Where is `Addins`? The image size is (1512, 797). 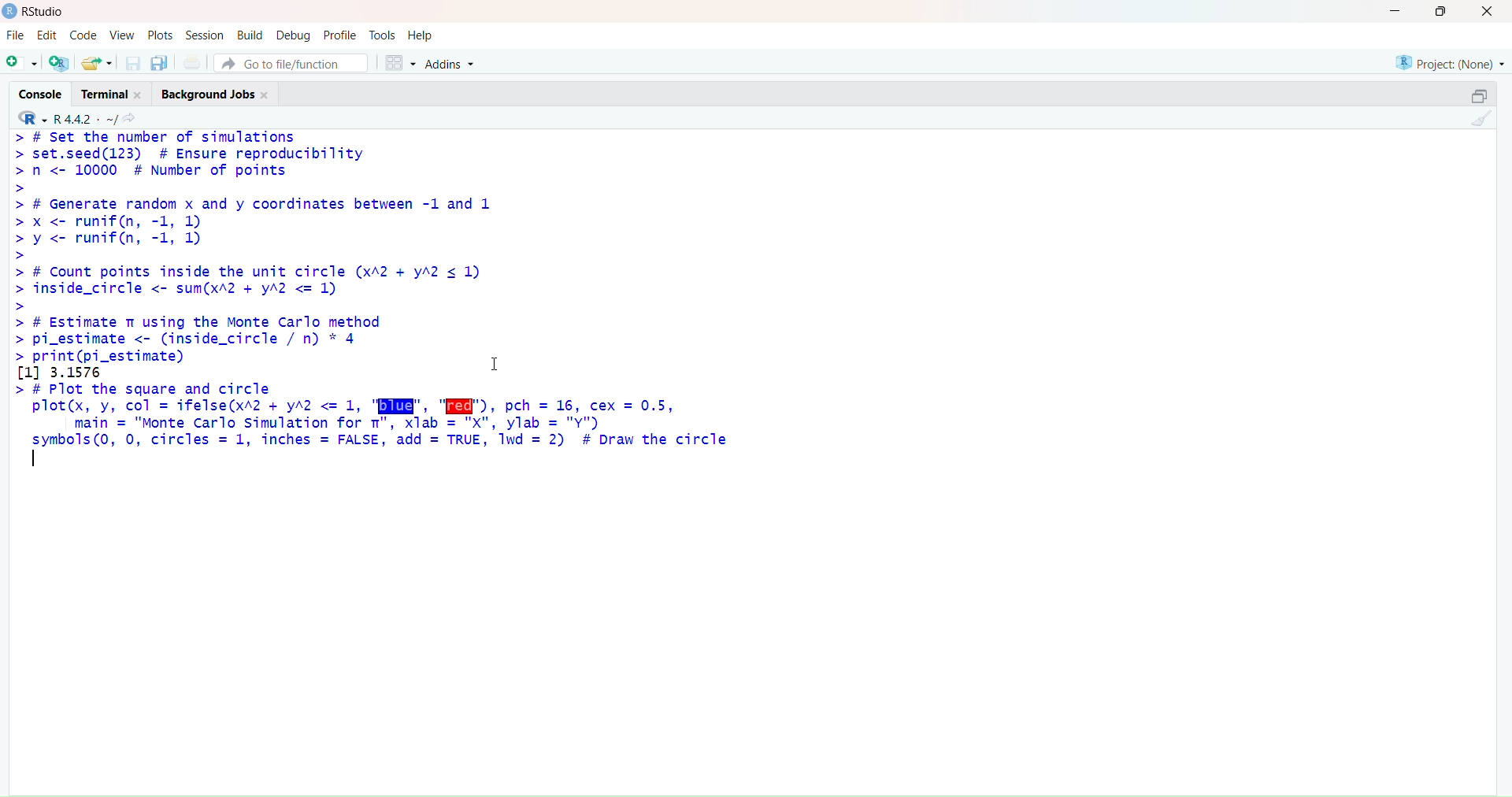
Addins is located at coordinates (452, 61).